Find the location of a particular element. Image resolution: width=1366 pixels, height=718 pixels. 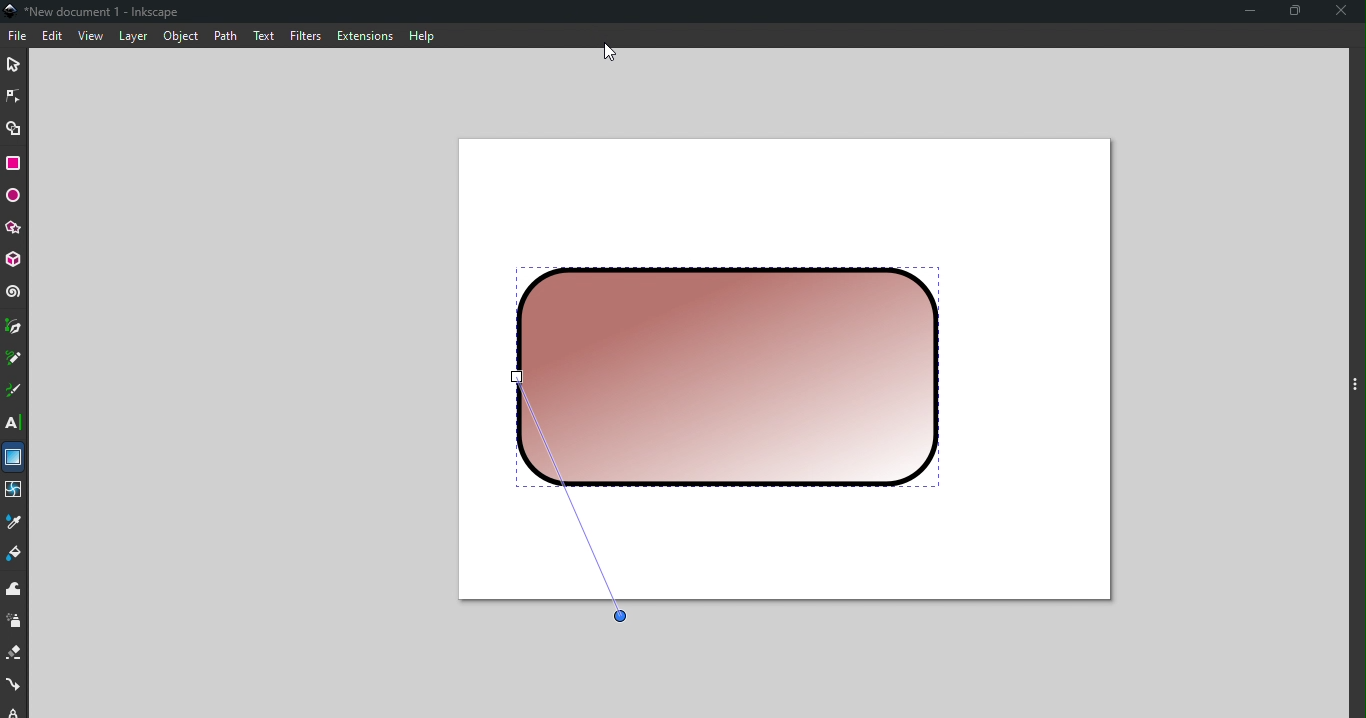

Text tool is located at coordinates (15, 423).